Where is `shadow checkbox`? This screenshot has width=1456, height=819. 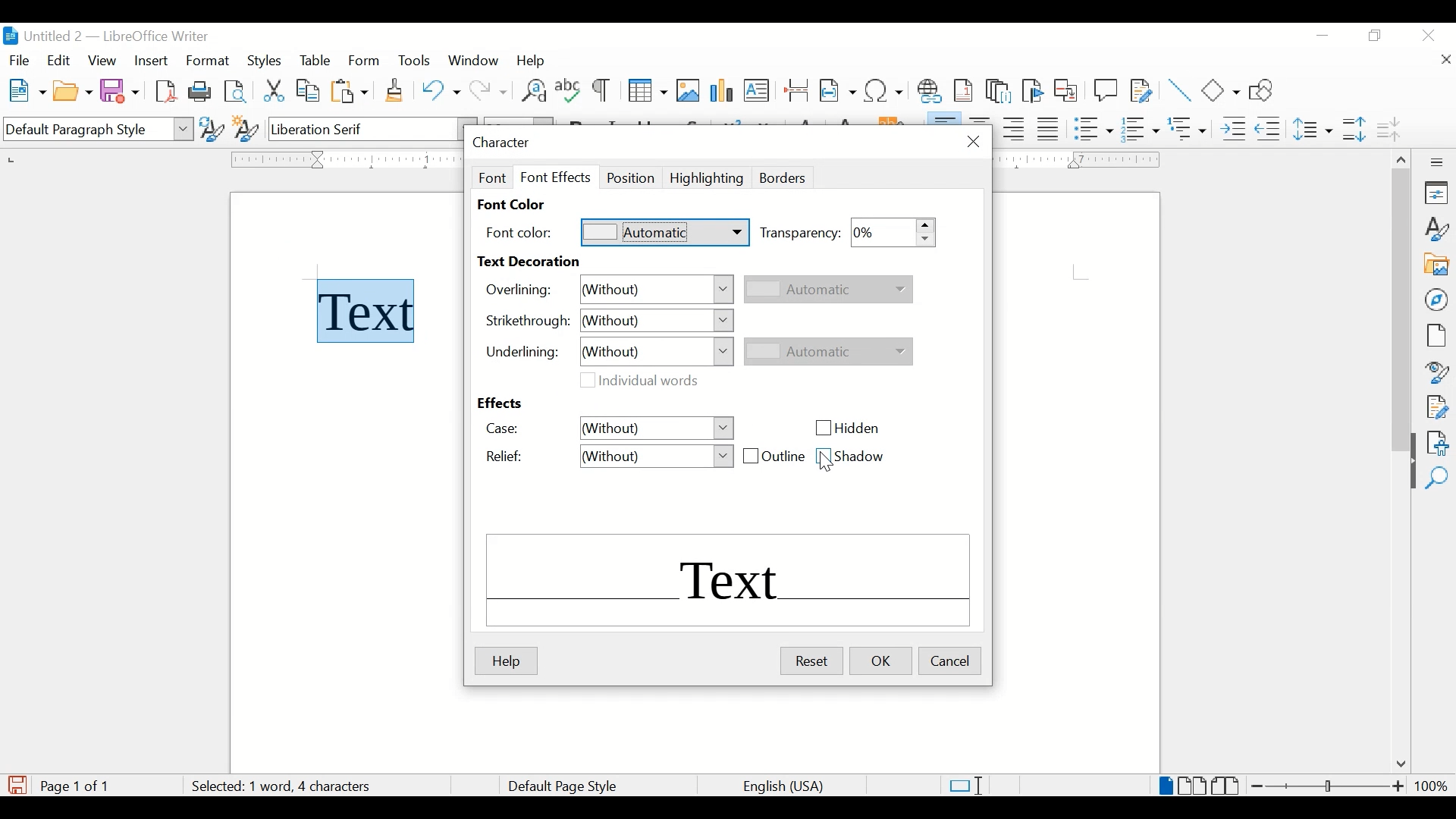
shadow checkbox is located at coordinates (852, 458).